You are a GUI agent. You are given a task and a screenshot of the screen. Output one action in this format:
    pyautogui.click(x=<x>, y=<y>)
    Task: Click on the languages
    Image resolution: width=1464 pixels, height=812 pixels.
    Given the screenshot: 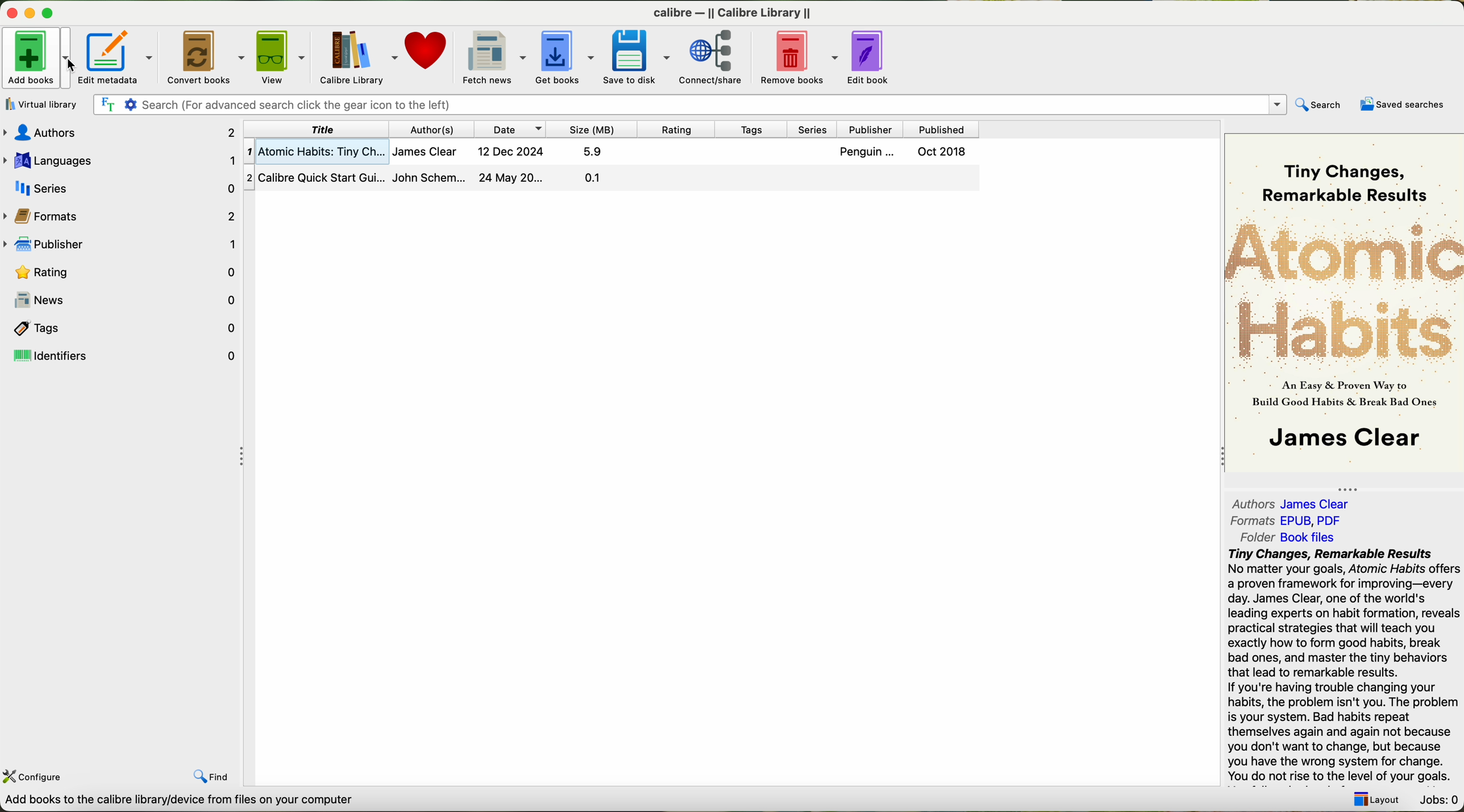 What is the action you would take?
    pyautogui.click(x=121, y=159)
    